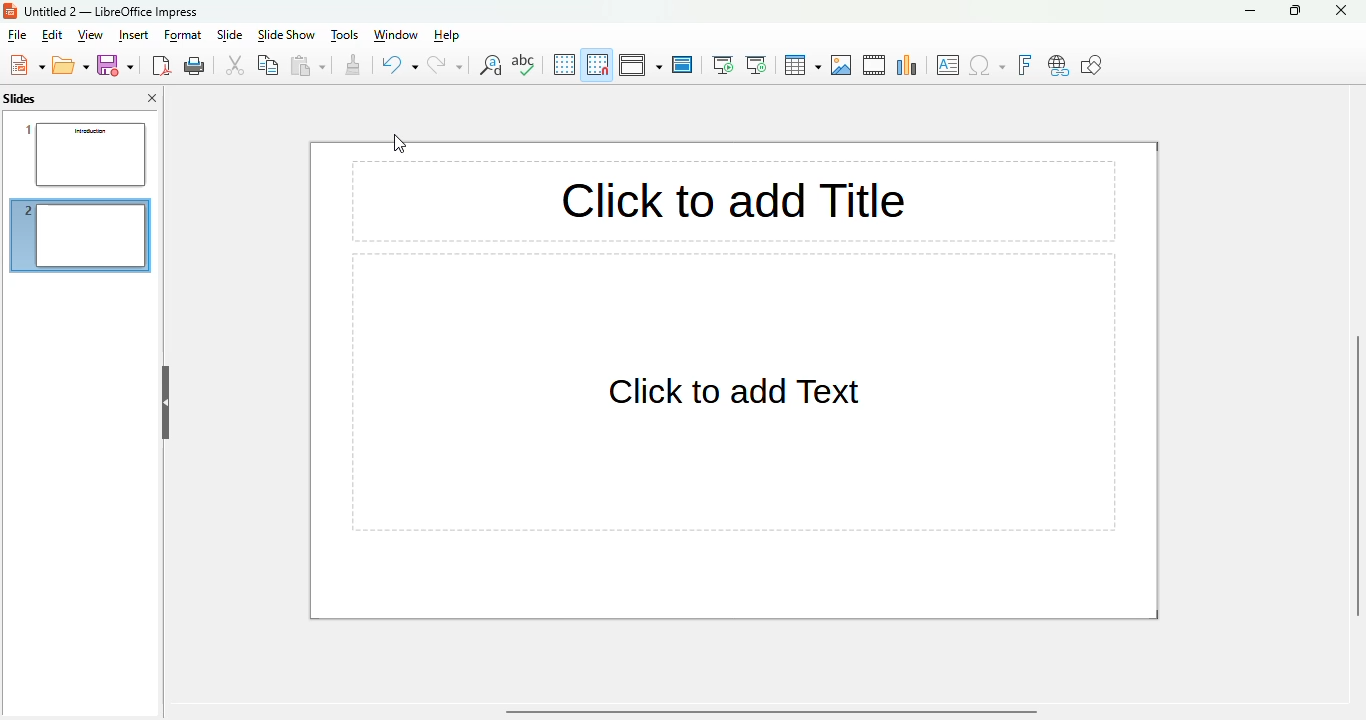  Describe the element at coordinates (448, 35) in the screenshot. I see `help` at that location.